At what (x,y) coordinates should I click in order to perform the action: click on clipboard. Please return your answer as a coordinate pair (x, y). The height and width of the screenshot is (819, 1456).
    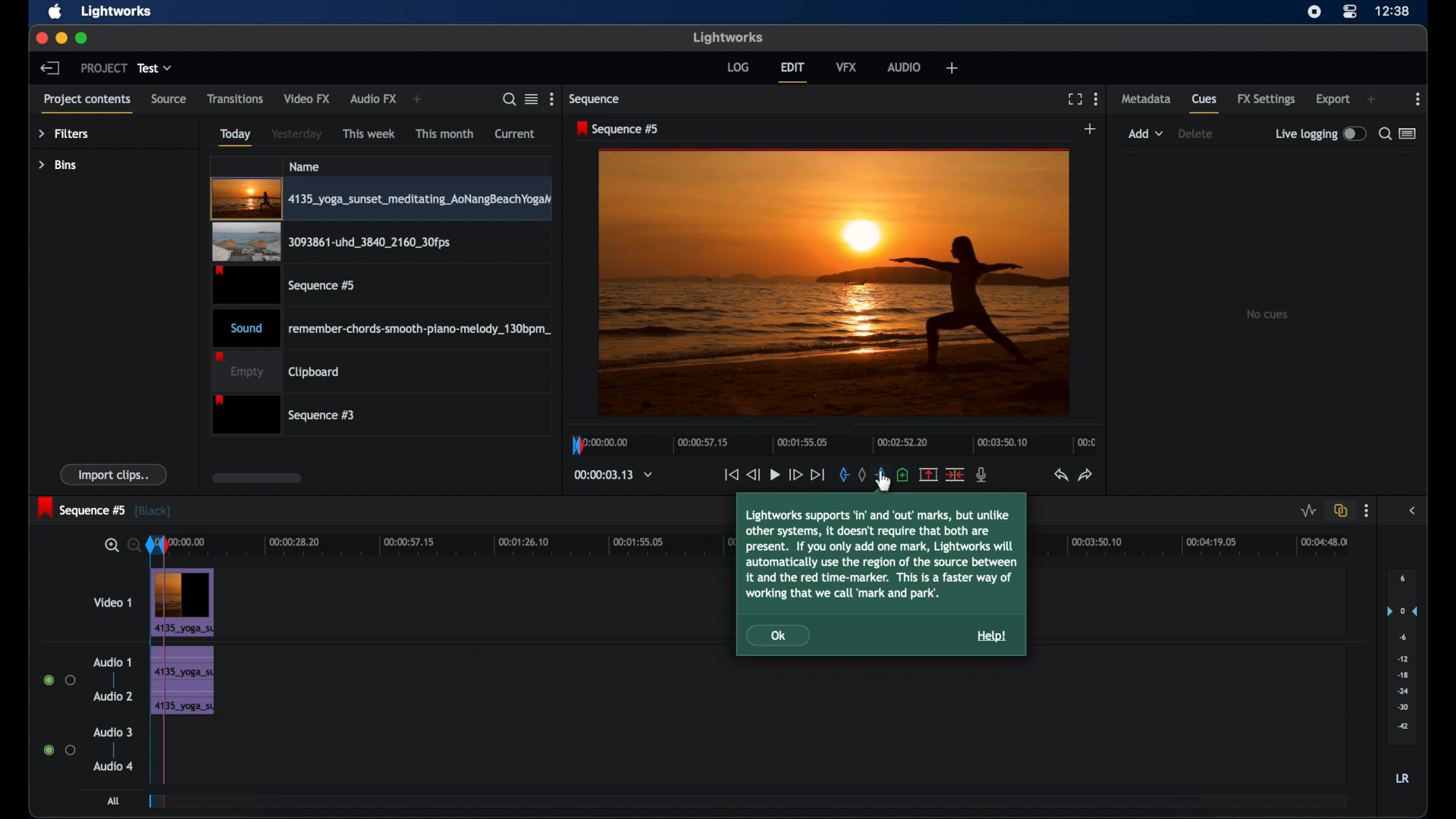
    Looking at the image, I should click on (281, 371).